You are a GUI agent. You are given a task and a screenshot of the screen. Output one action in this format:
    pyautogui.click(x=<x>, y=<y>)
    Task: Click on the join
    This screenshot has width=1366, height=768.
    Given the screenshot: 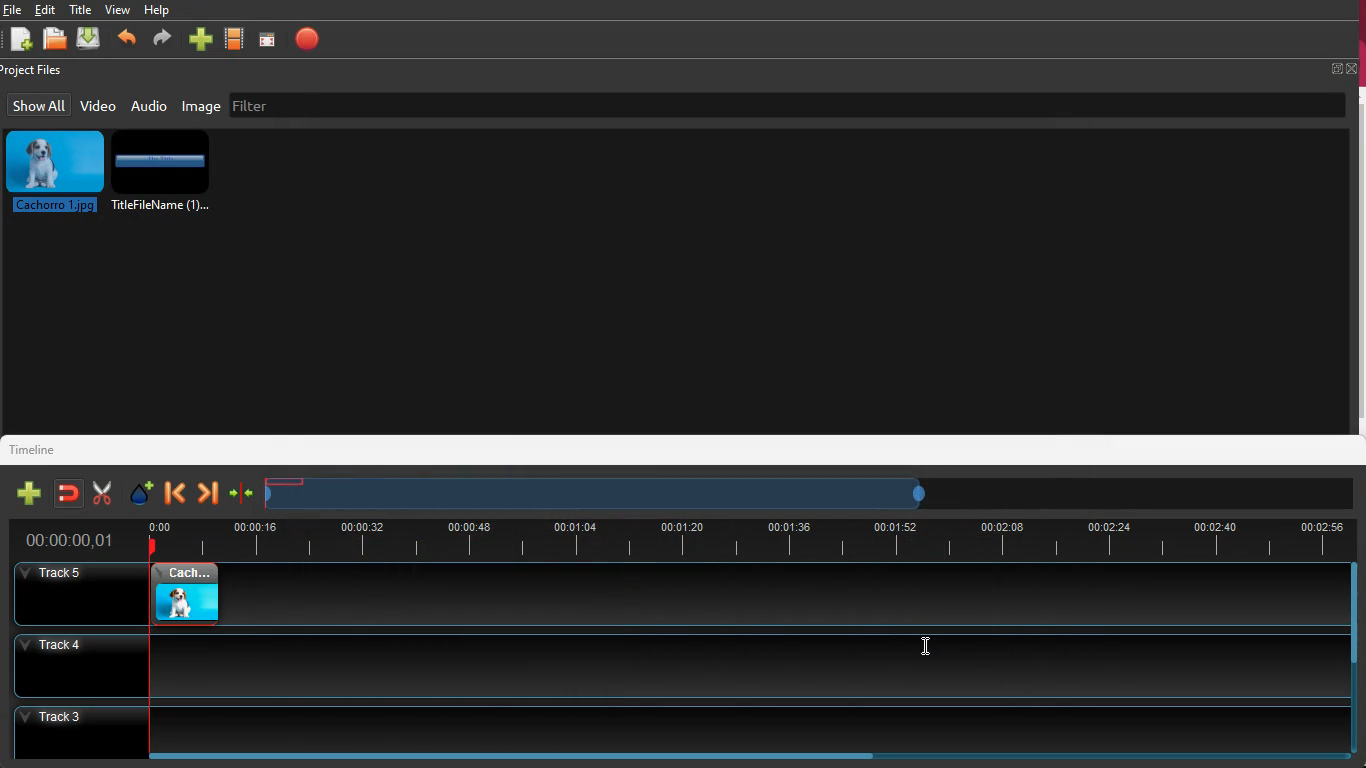 What is the action you would take?
    pyautogui.click(x=67, y=493)
    